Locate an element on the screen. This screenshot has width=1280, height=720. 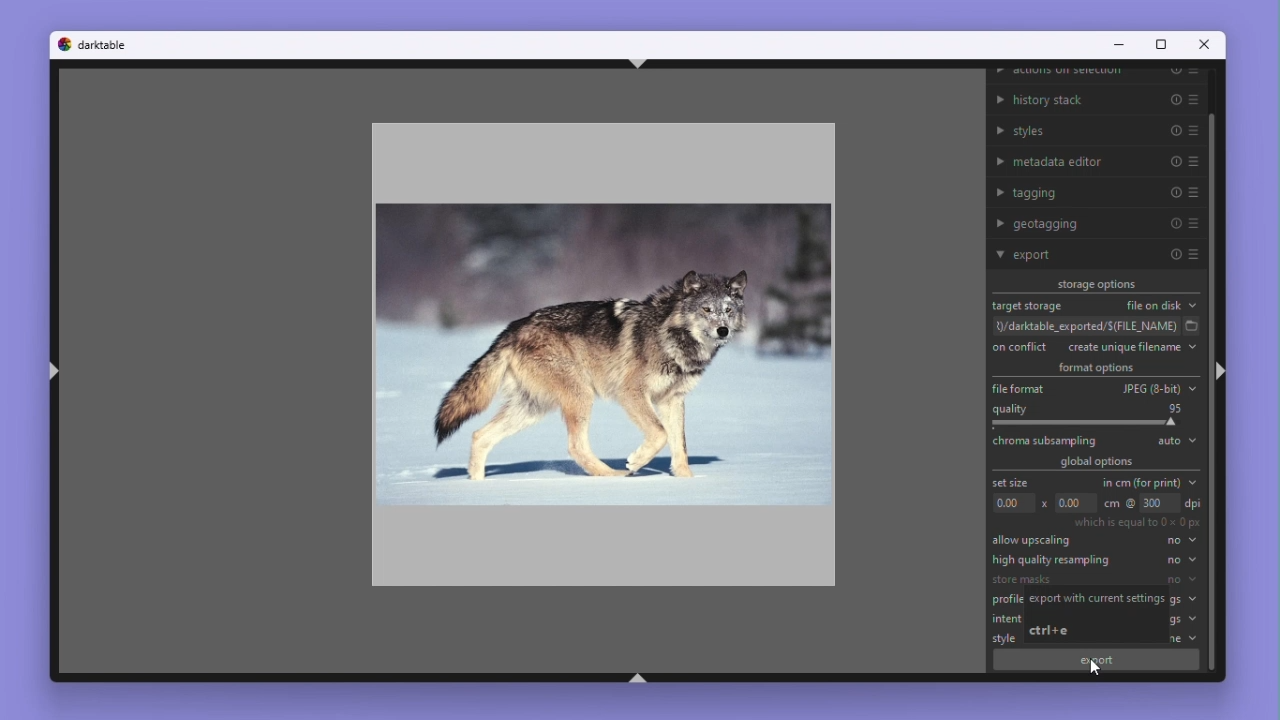
JPEG is located at coordinates (1156, 389).